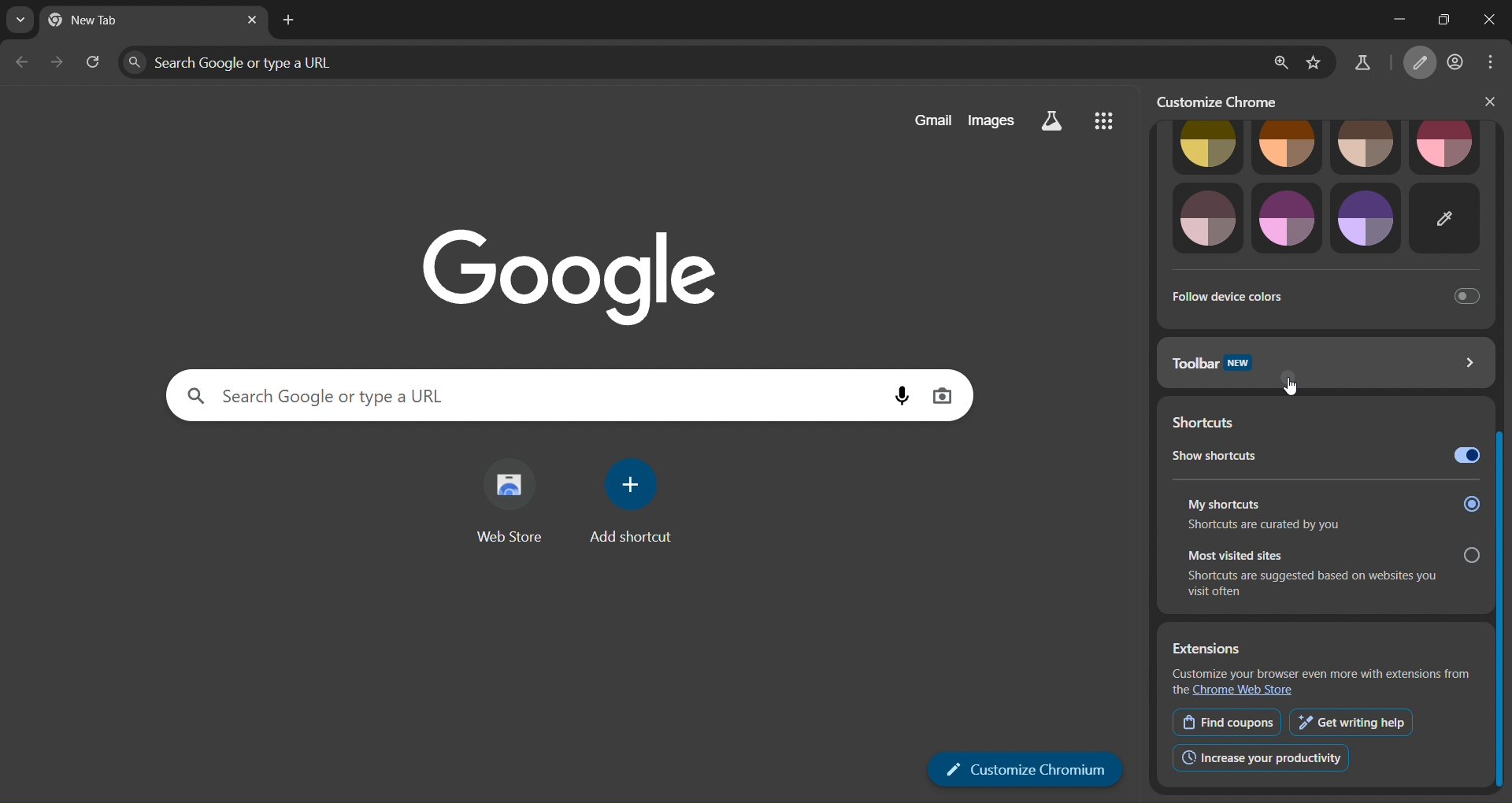 The width and height of the screenshot is (1512, 803). I want to click on images, so click(991, 120).